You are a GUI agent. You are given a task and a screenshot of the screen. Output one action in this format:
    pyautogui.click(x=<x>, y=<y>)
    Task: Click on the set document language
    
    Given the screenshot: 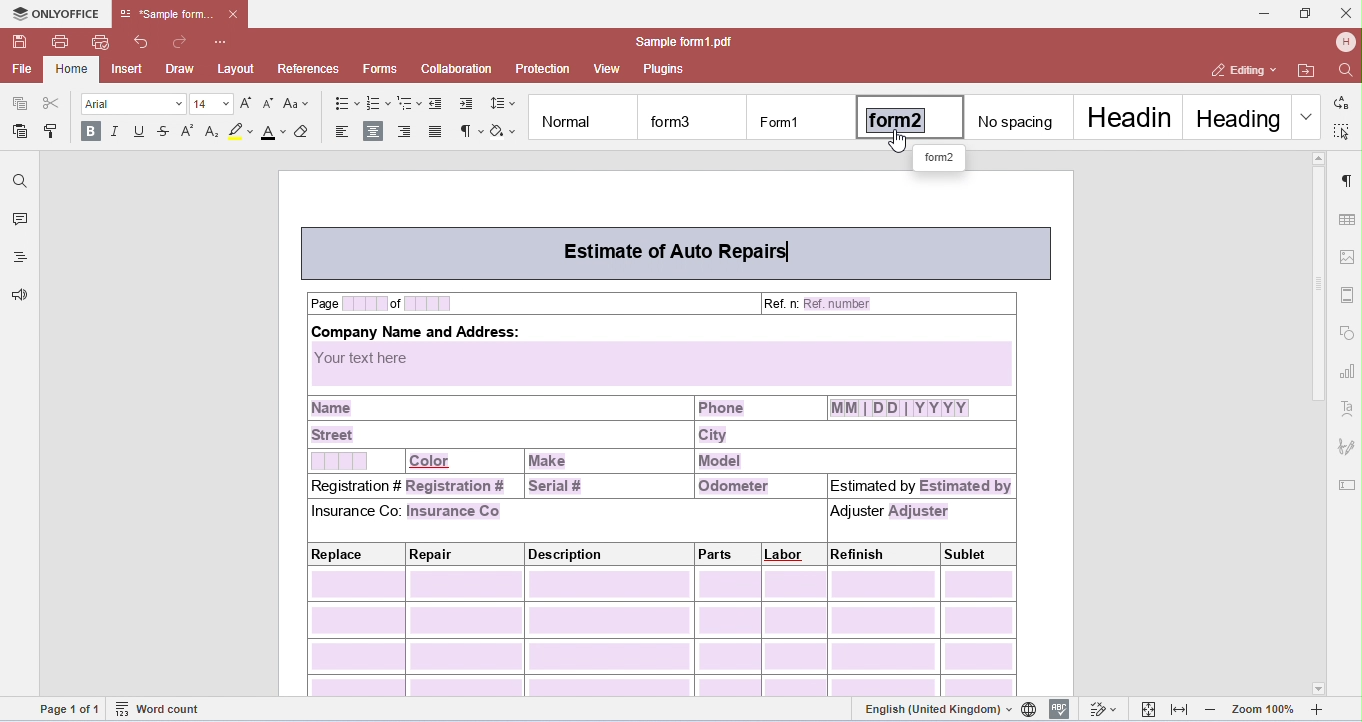 What is the action you would take?
    pyautogui.click(x=1031, y=709)
    